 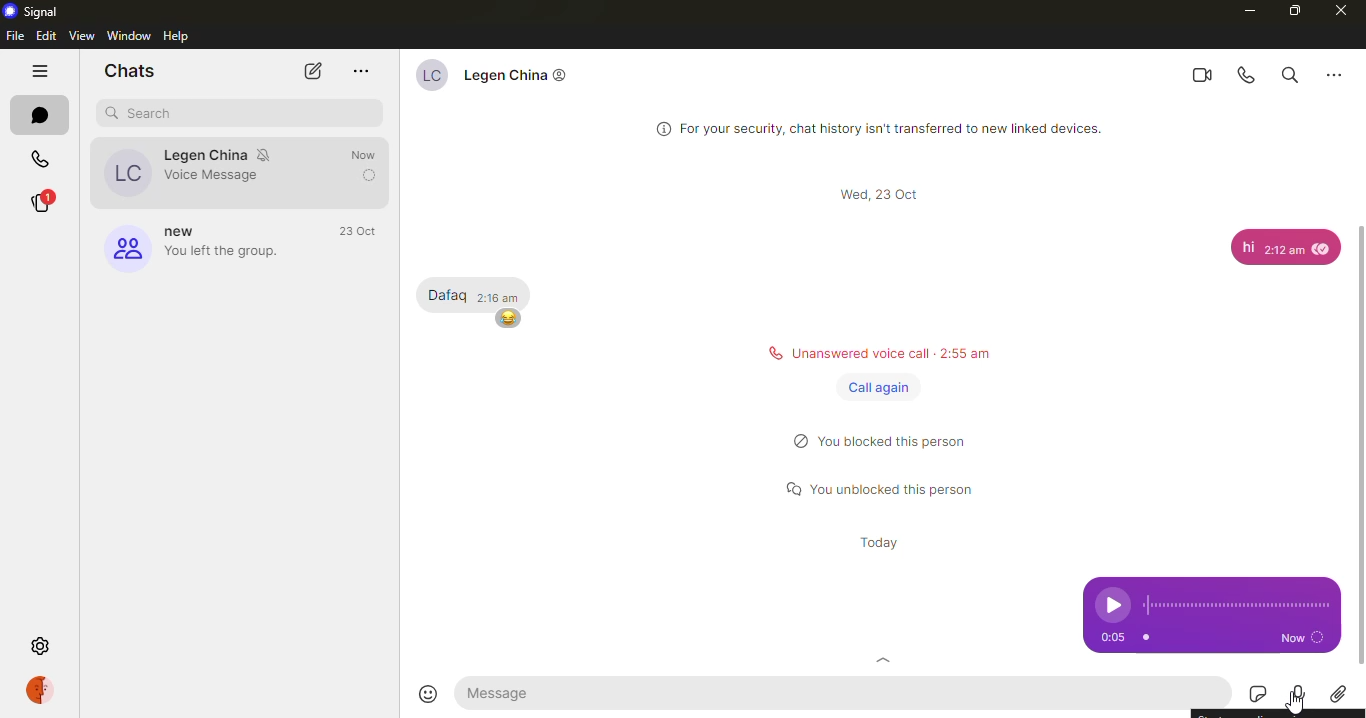 What do you see at coordinates (1359, 424) in the screenshot?
I see `scroll bar` at bounding box center [1359, 424].